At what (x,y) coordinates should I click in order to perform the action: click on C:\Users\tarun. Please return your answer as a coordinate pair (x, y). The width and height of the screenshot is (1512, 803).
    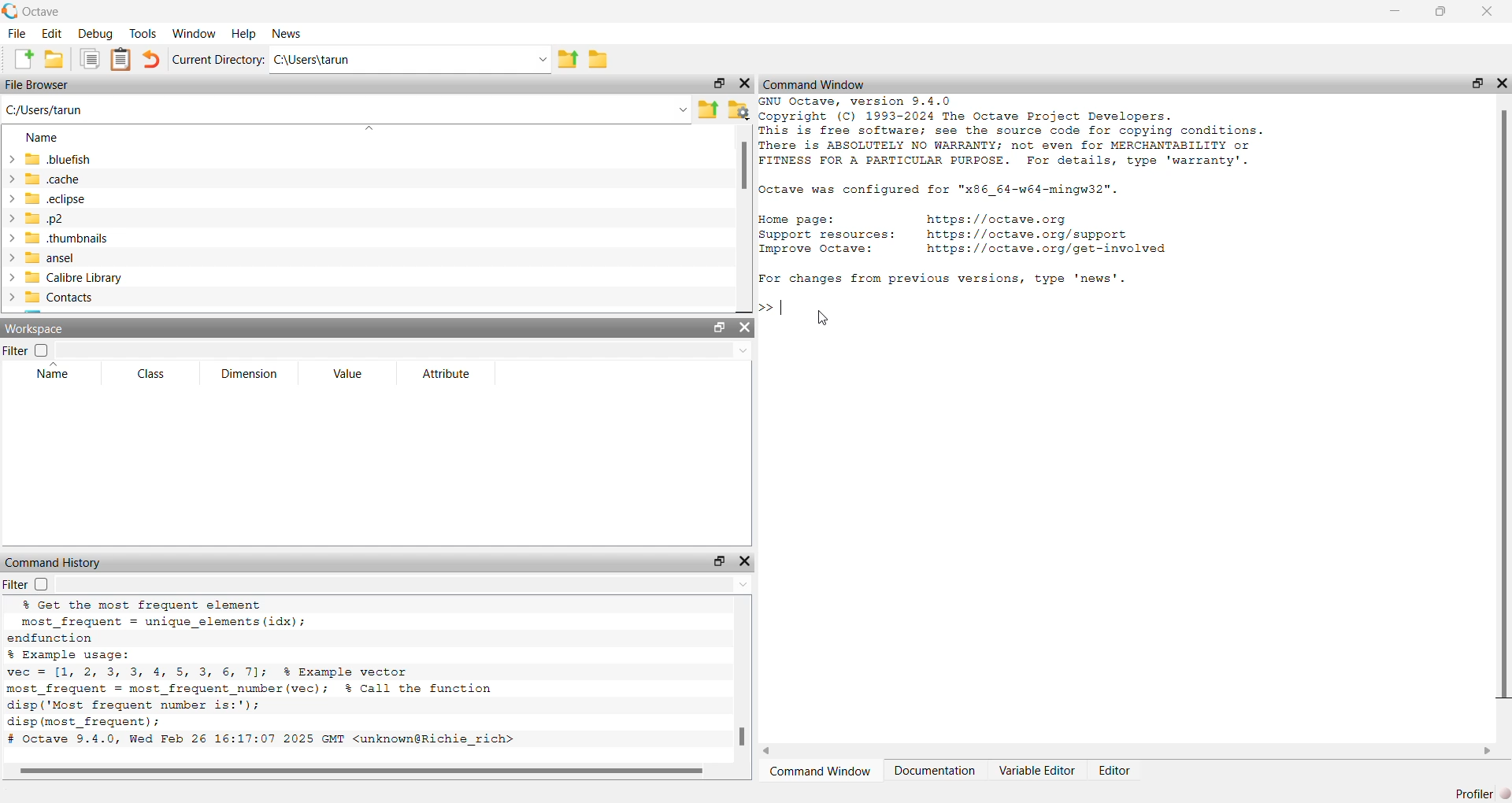
    Looking at the image, I should click on (387, 59).